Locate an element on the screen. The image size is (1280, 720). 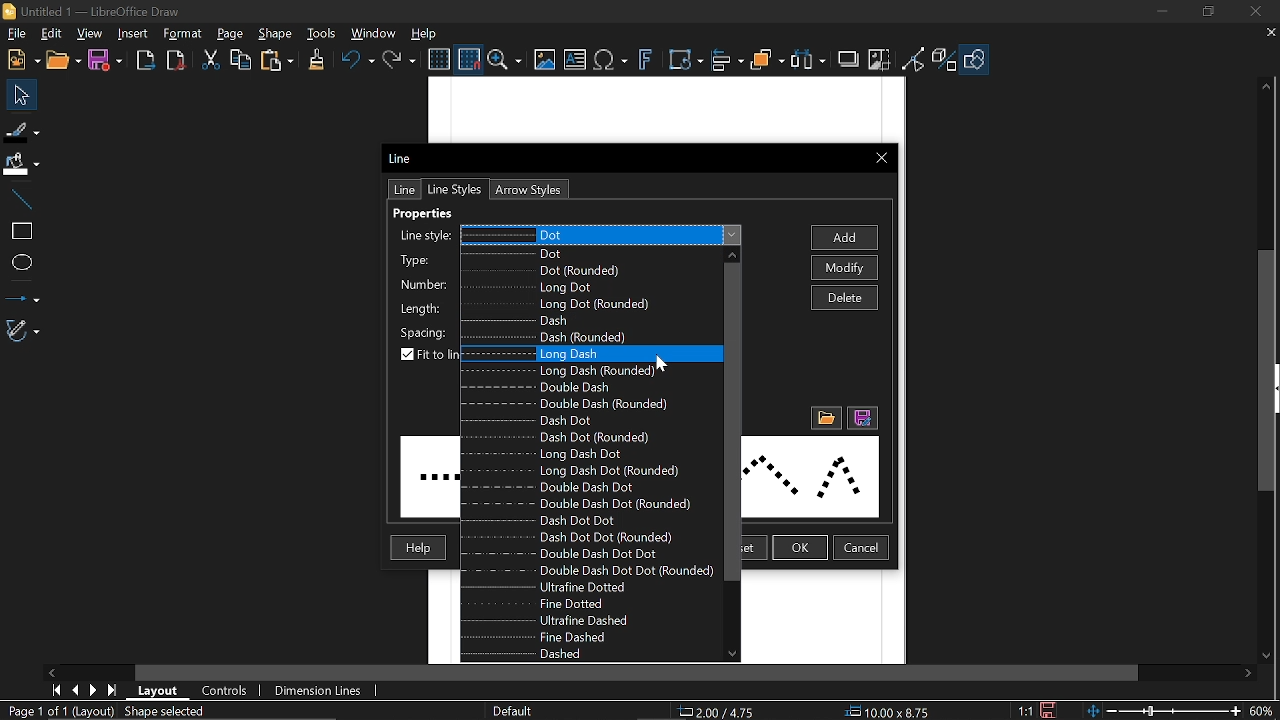
Save is located at coordinates (103, 61).